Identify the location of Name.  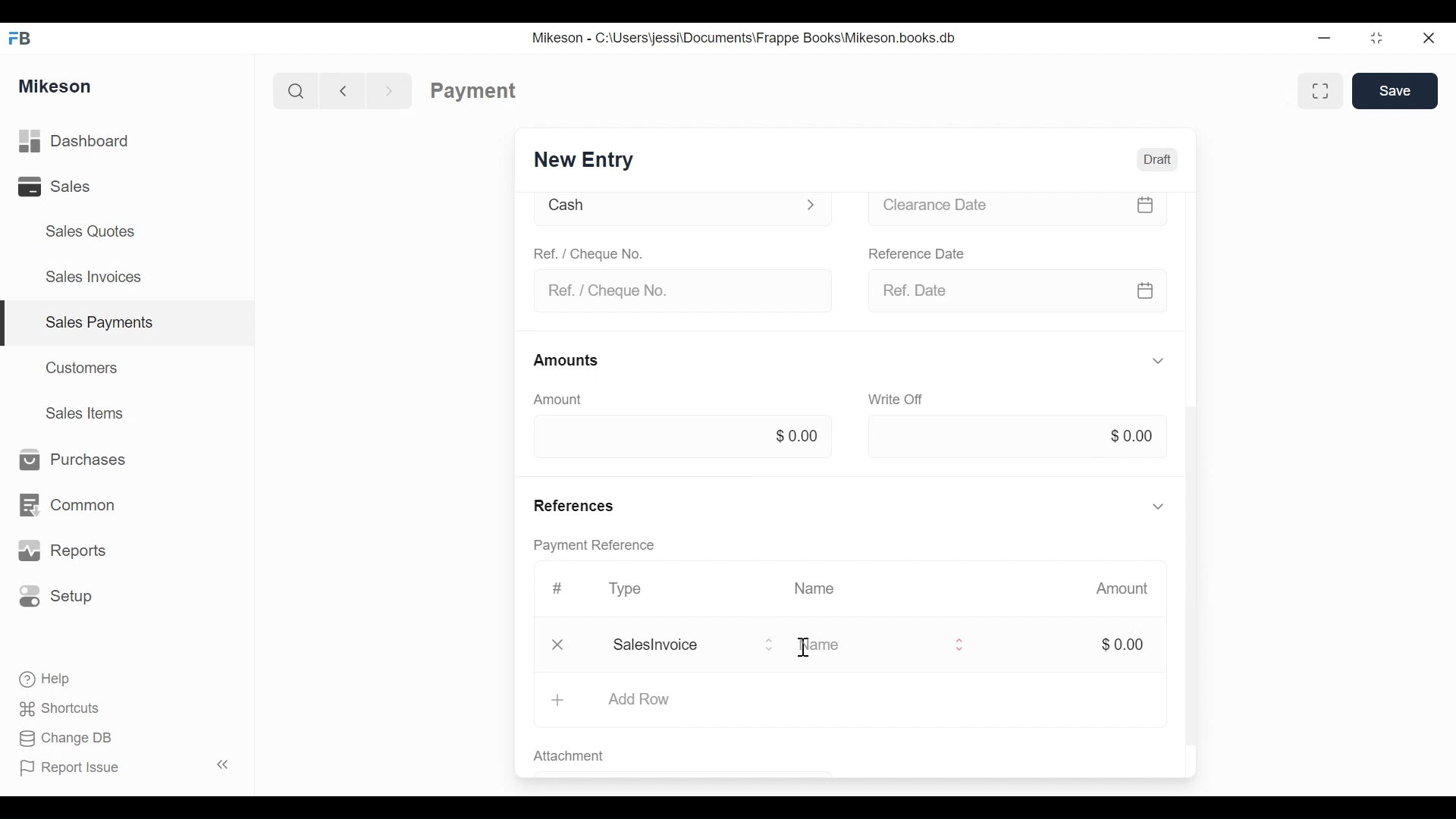
(881, 645).